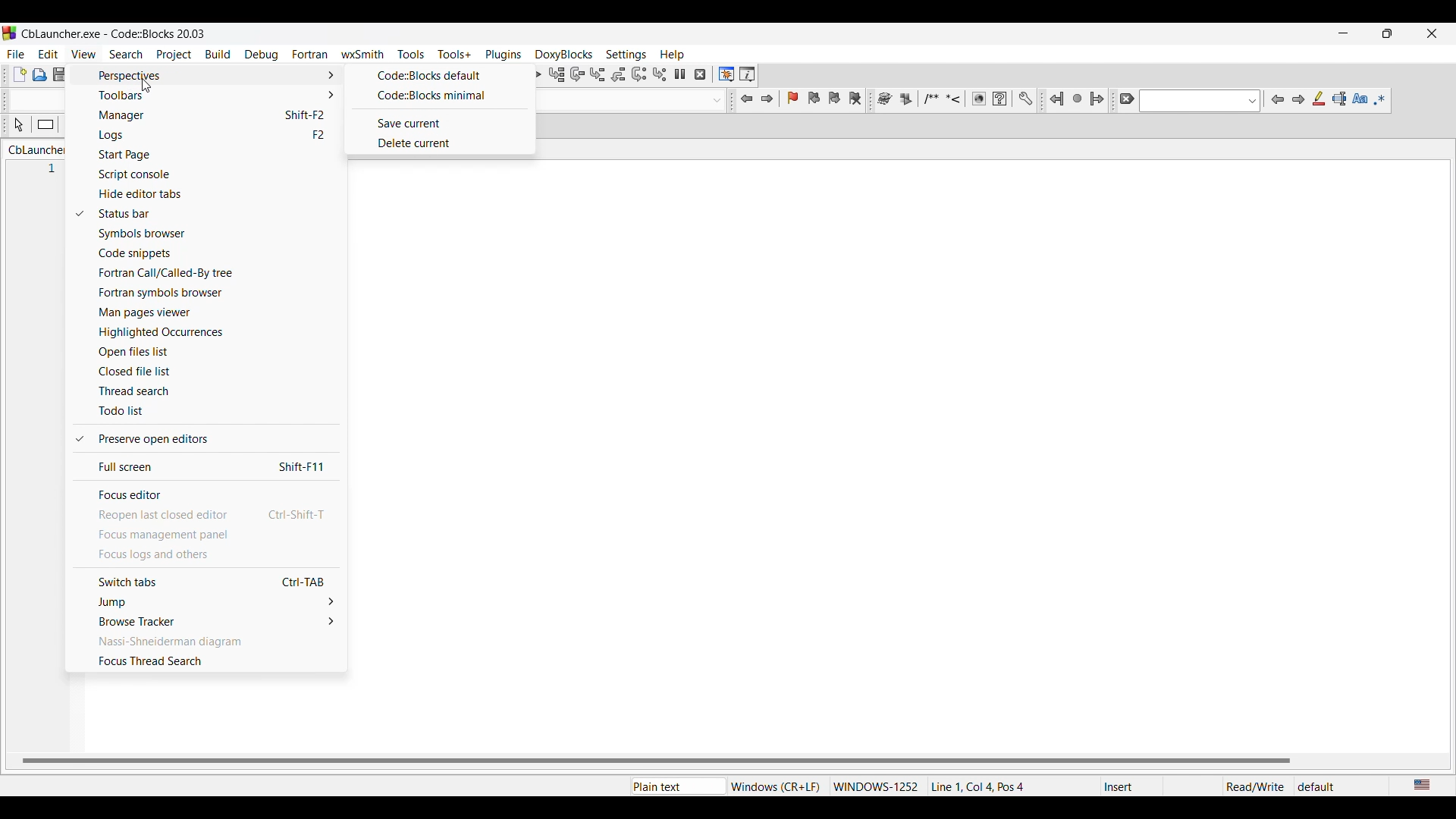 The width and height of the screenshot is (1456, 819). What do you see at coordinates (955, 99) in the screenshot?
I see `More tool options` at bounding box center [955, 99].